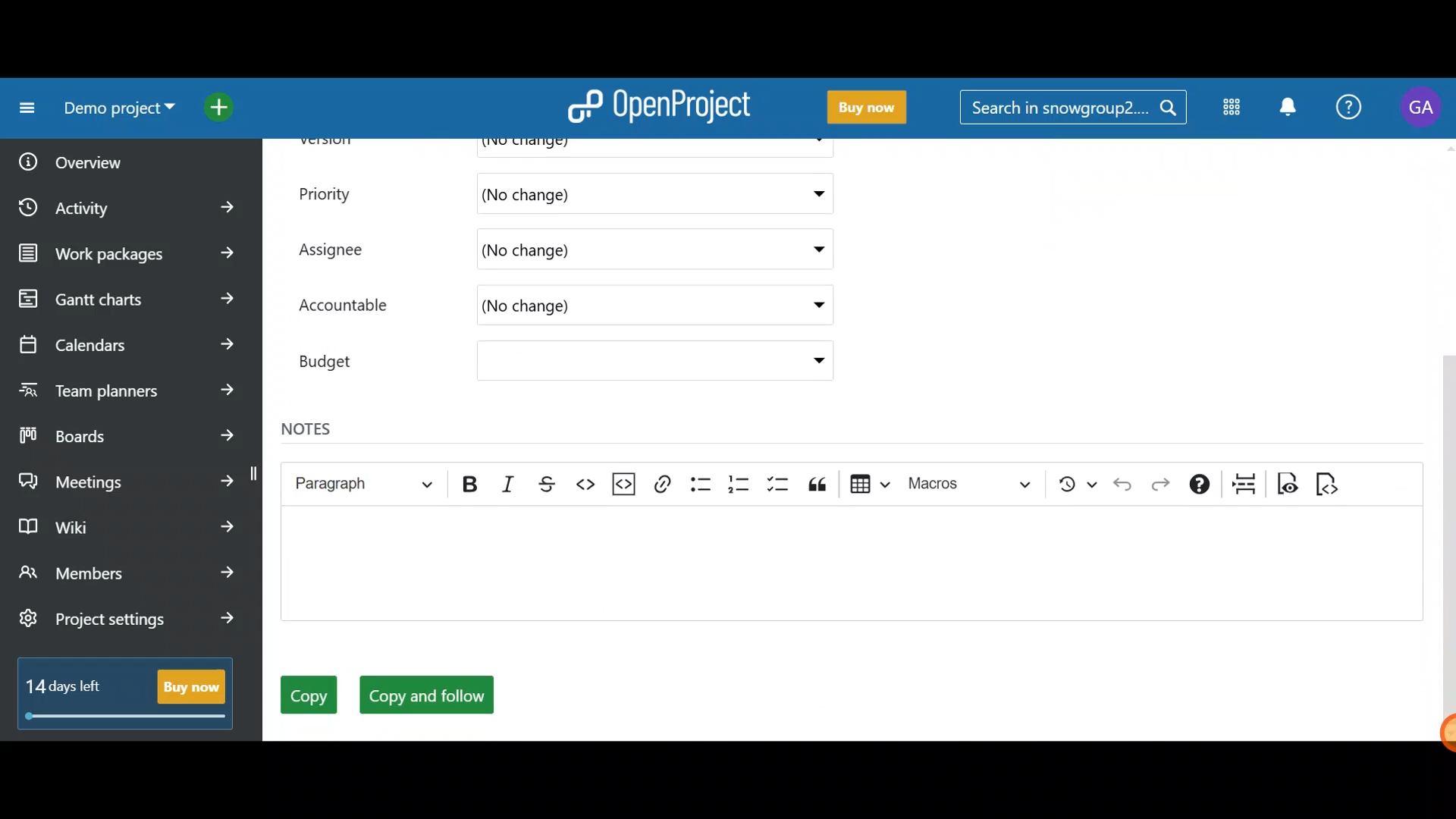  What do you see at coordinates (315, 431) in the screenshot?
I see `Notes` at bounding box center [315, 431].